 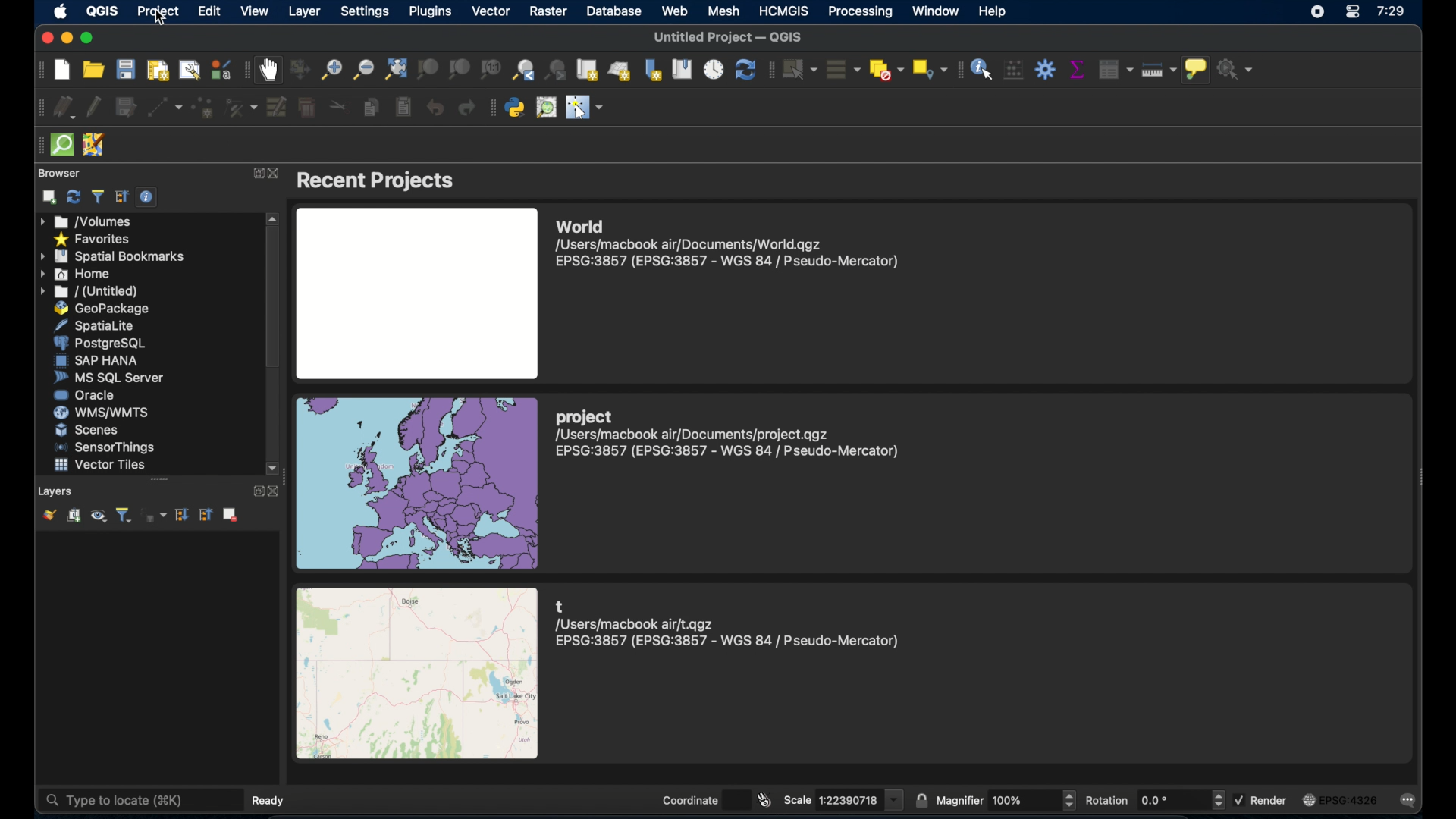 I want to click on toggle extents and mouse position display, so click(x=766, y=799).